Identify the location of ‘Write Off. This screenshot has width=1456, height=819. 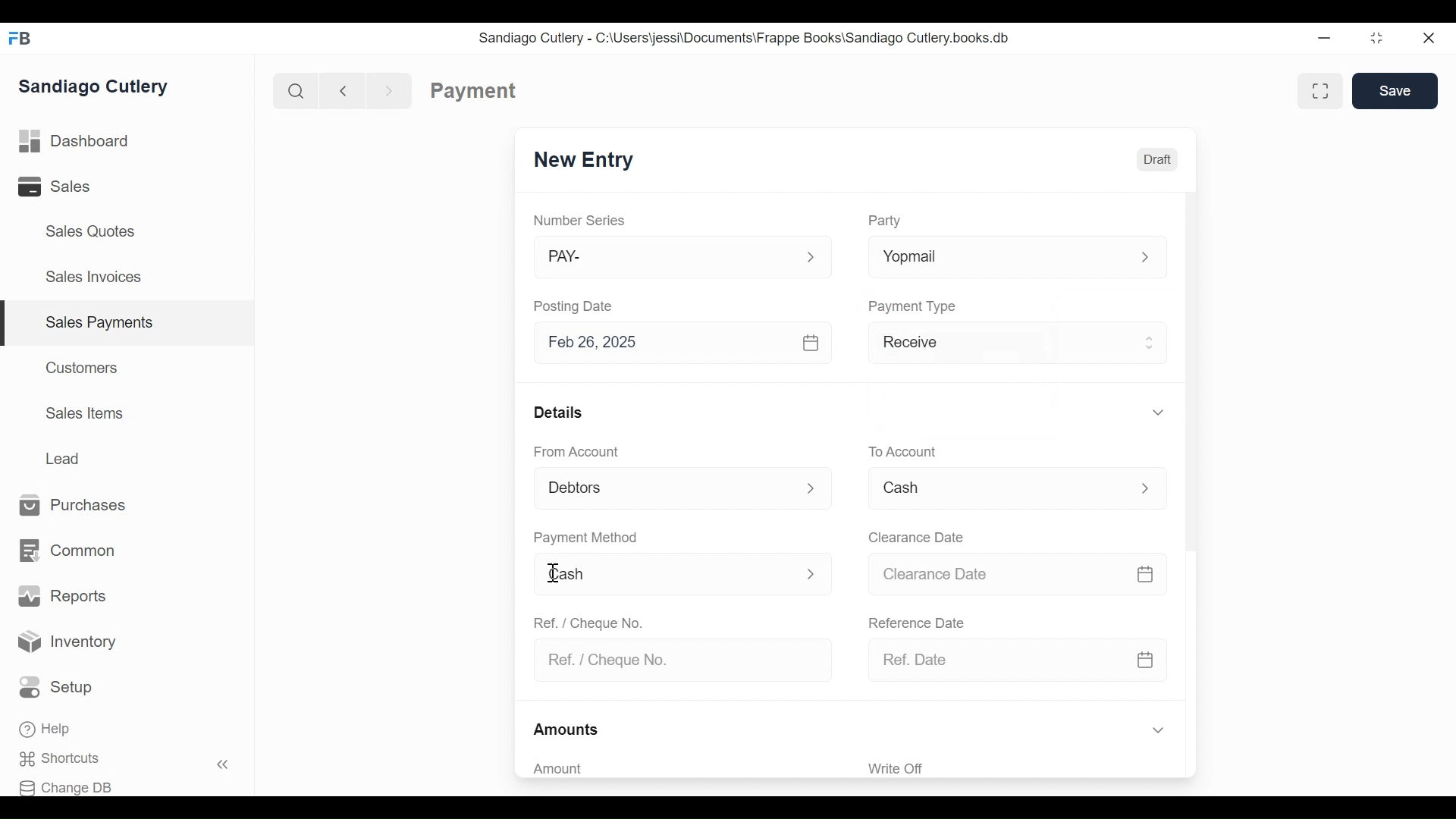
(1019, 768).